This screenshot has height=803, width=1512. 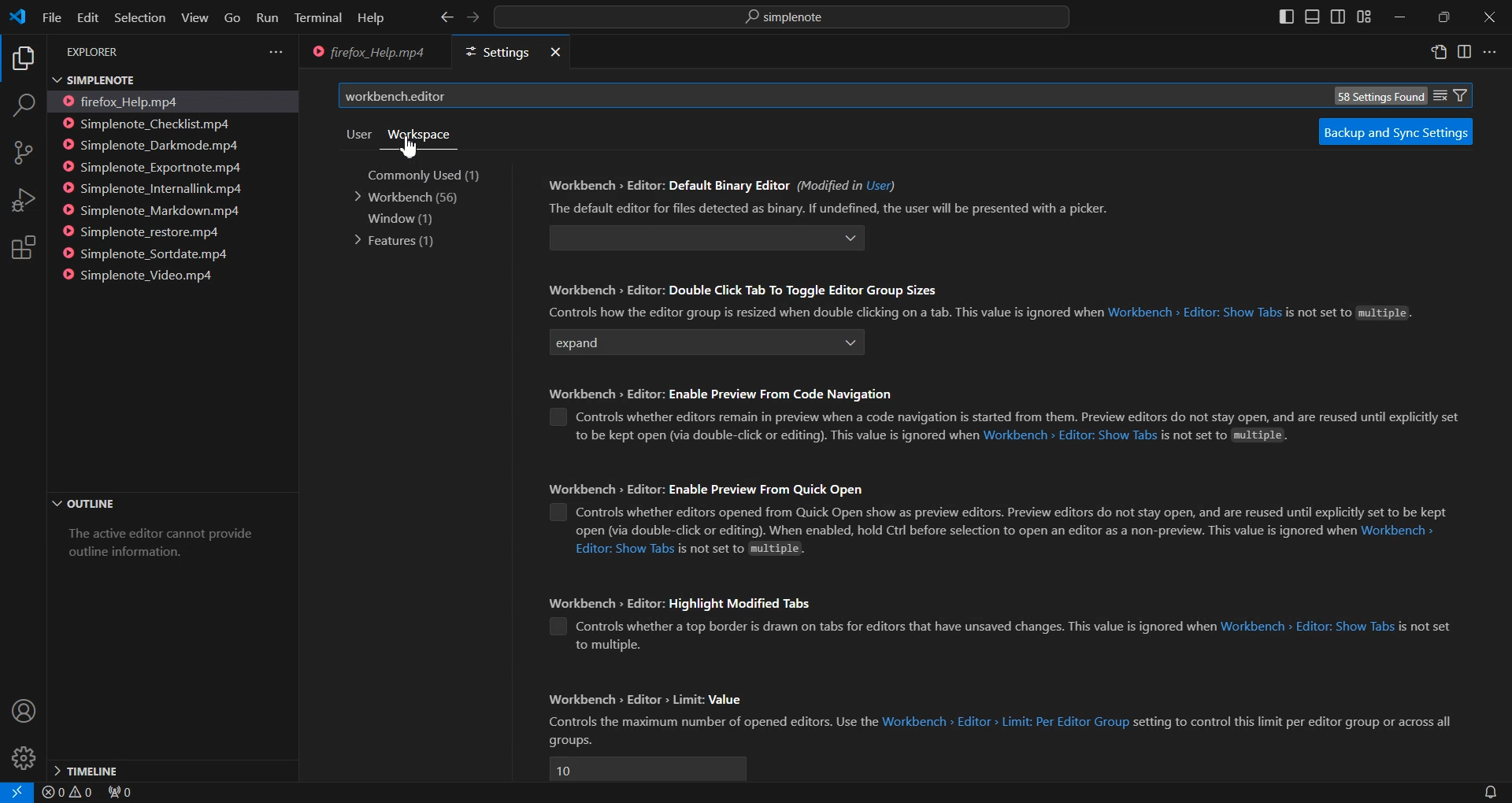 What do you see at coordinates (1337, 17) in the screenshot?
I see `Toggle secondary side bar` at bounding box center [1337, 17].